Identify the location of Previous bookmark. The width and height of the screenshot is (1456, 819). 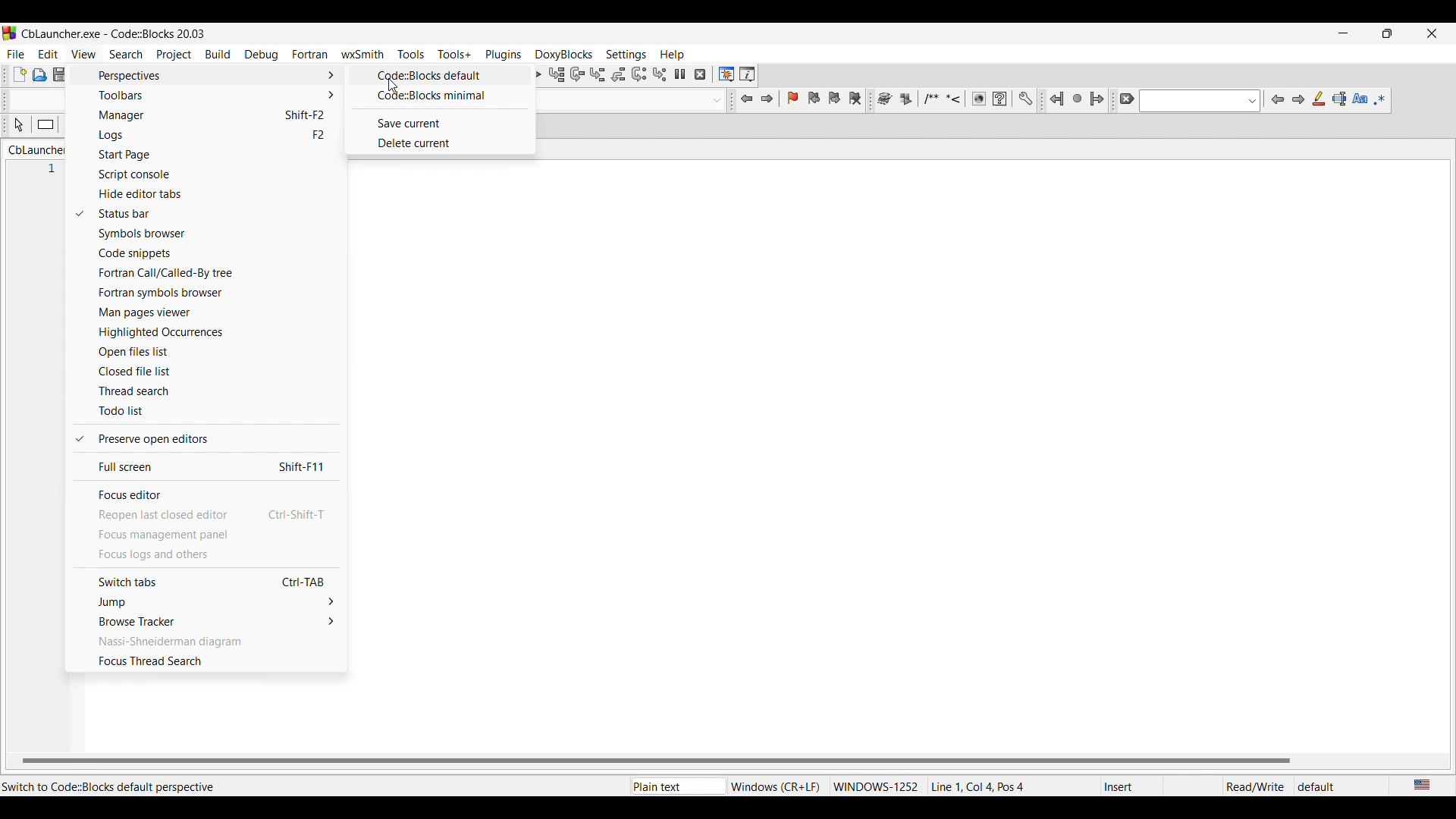
(814, 98).